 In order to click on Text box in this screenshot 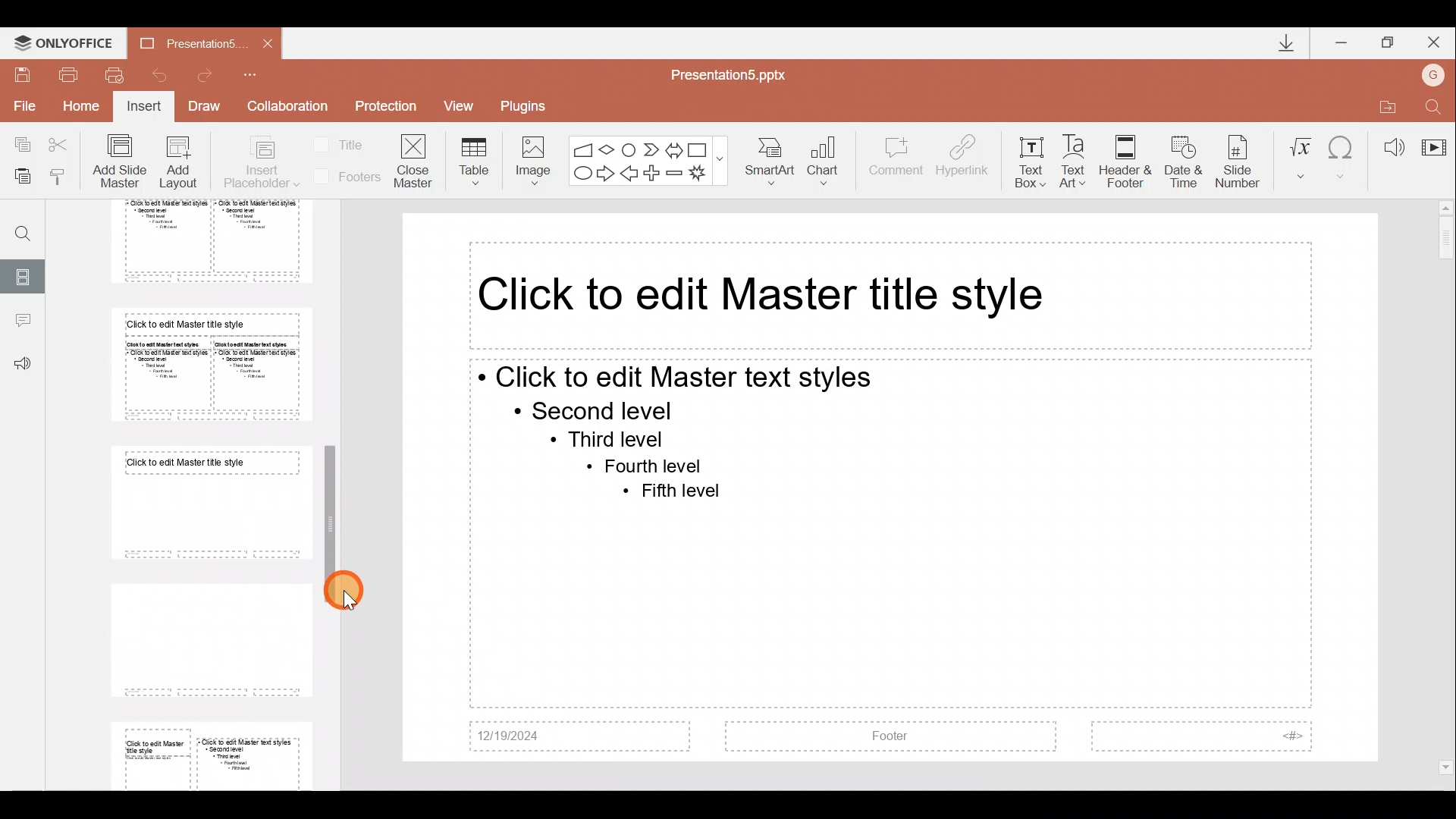, I will do `click(1030, 158)`.